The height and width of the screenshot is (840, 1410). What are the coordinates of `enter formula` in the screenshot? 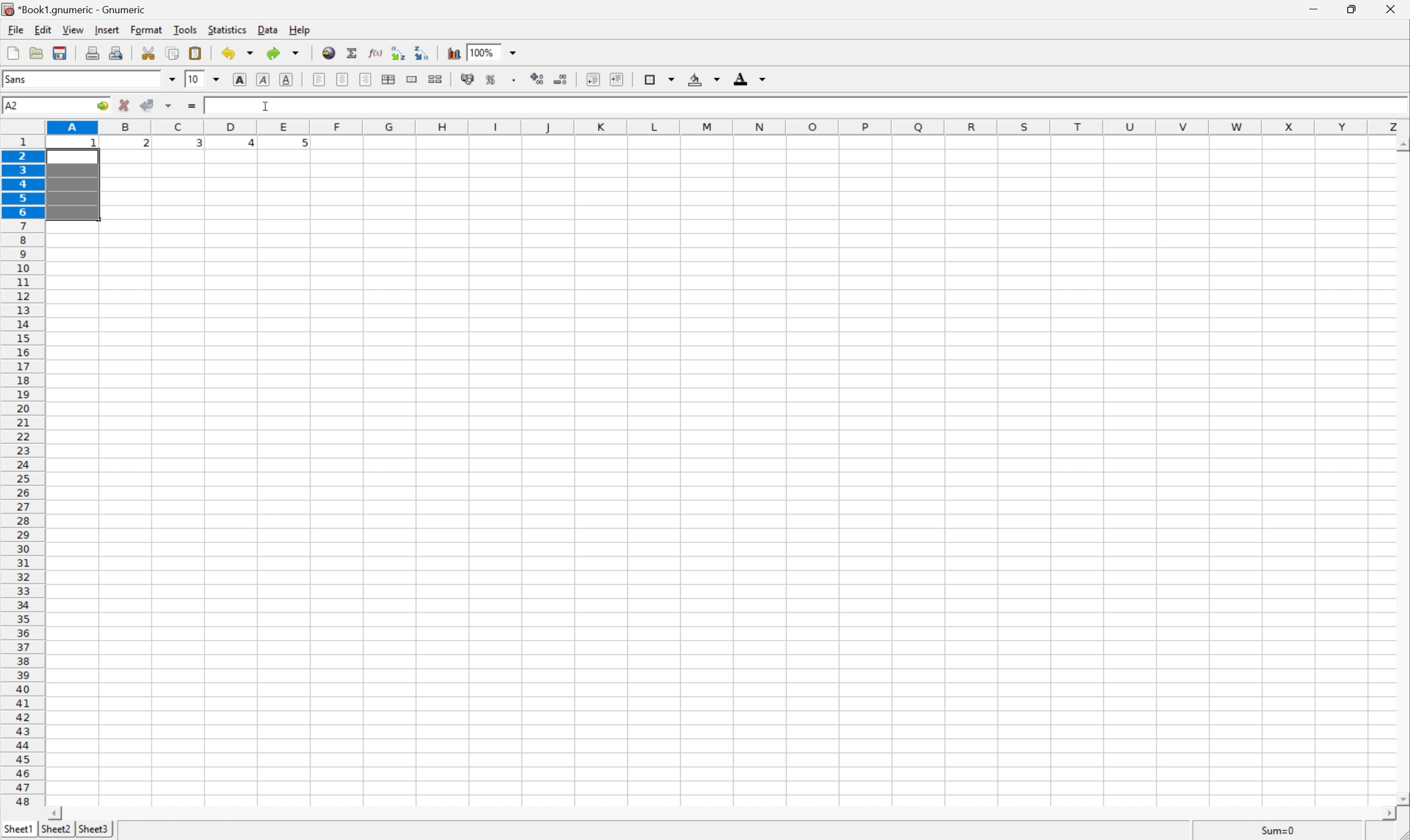 It's located at (191, 106).